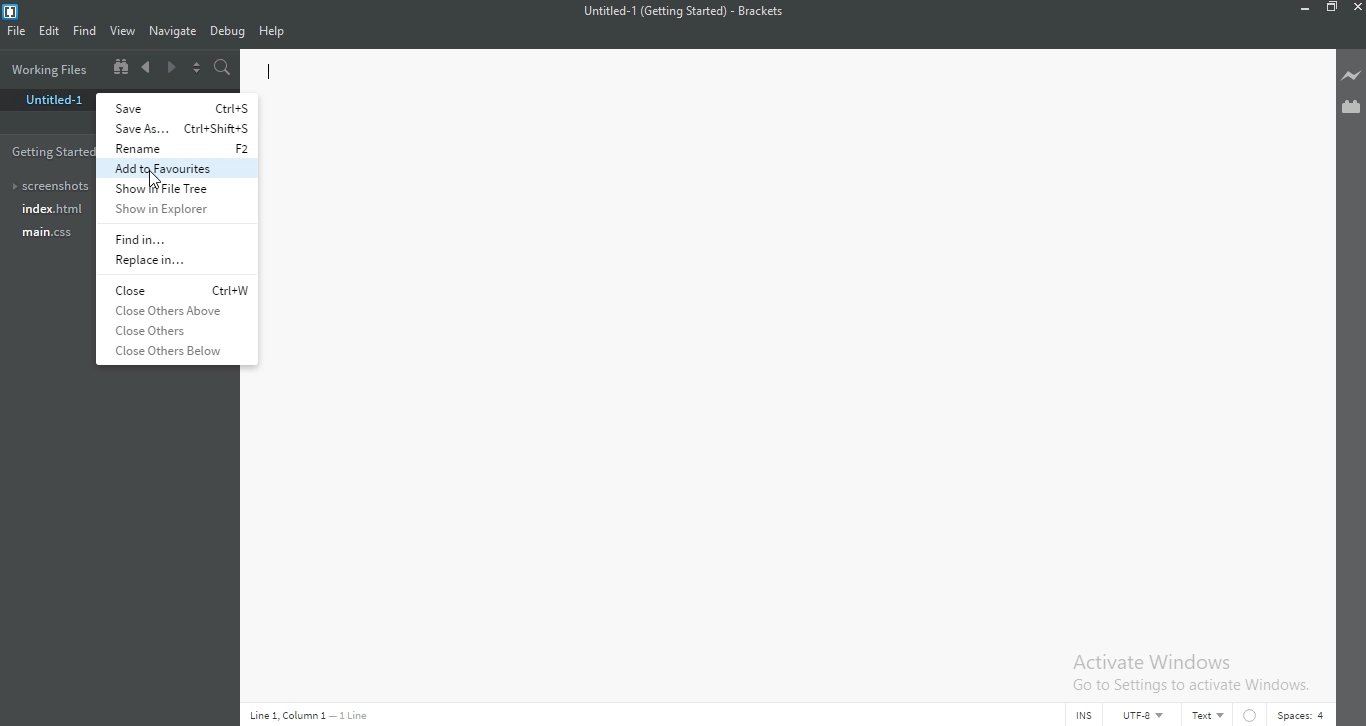 The width and height of the screenshot is (1366, 726). What do you see at coordinates (119, 69) in the screenshot?
I see `Show file tree` at bounding box center [119, 69].